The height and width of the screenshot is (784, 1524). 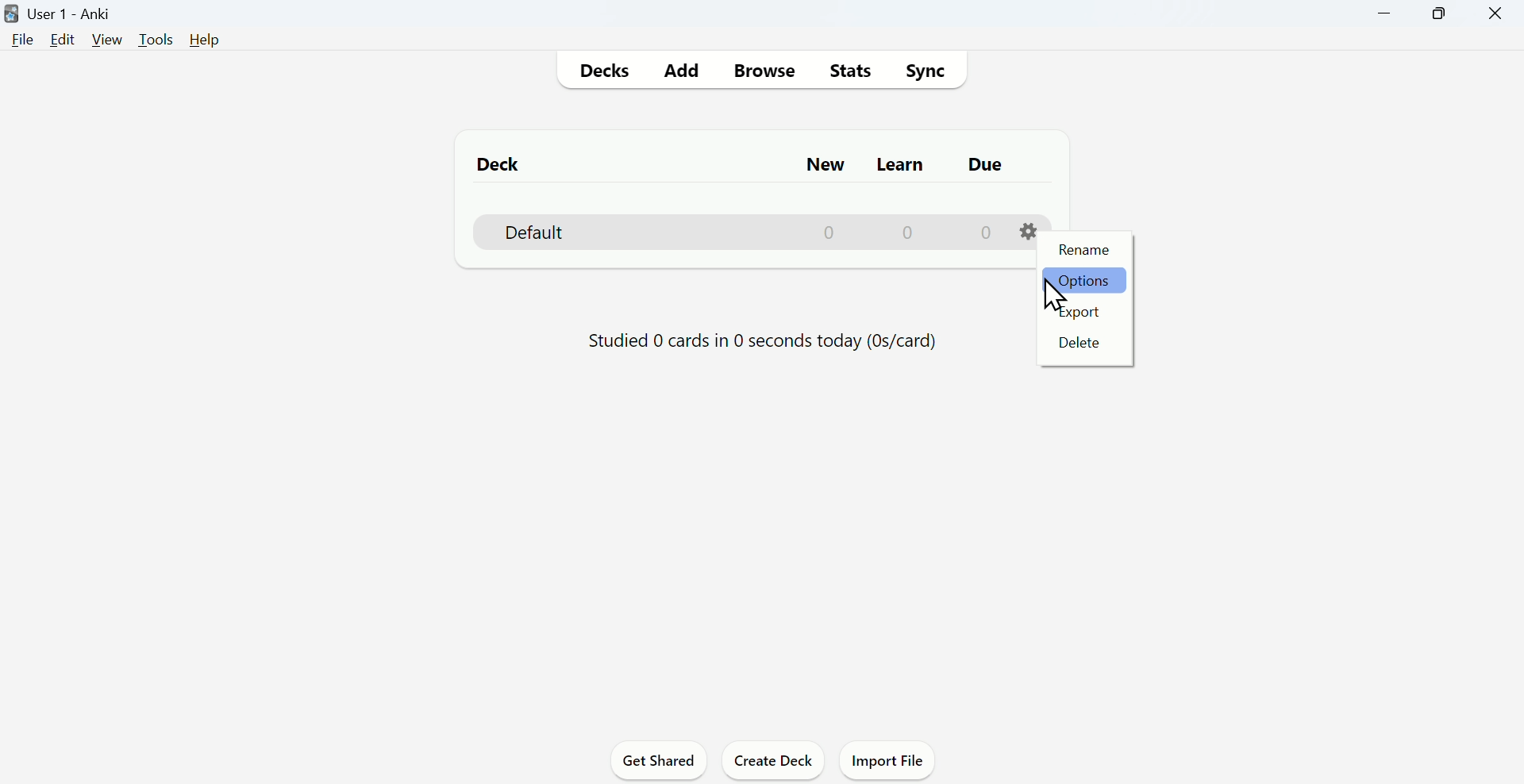 What do you see at coordinates (776, 762) in the screenshot?
I see `Create deck` at bounding box center [776, 762].